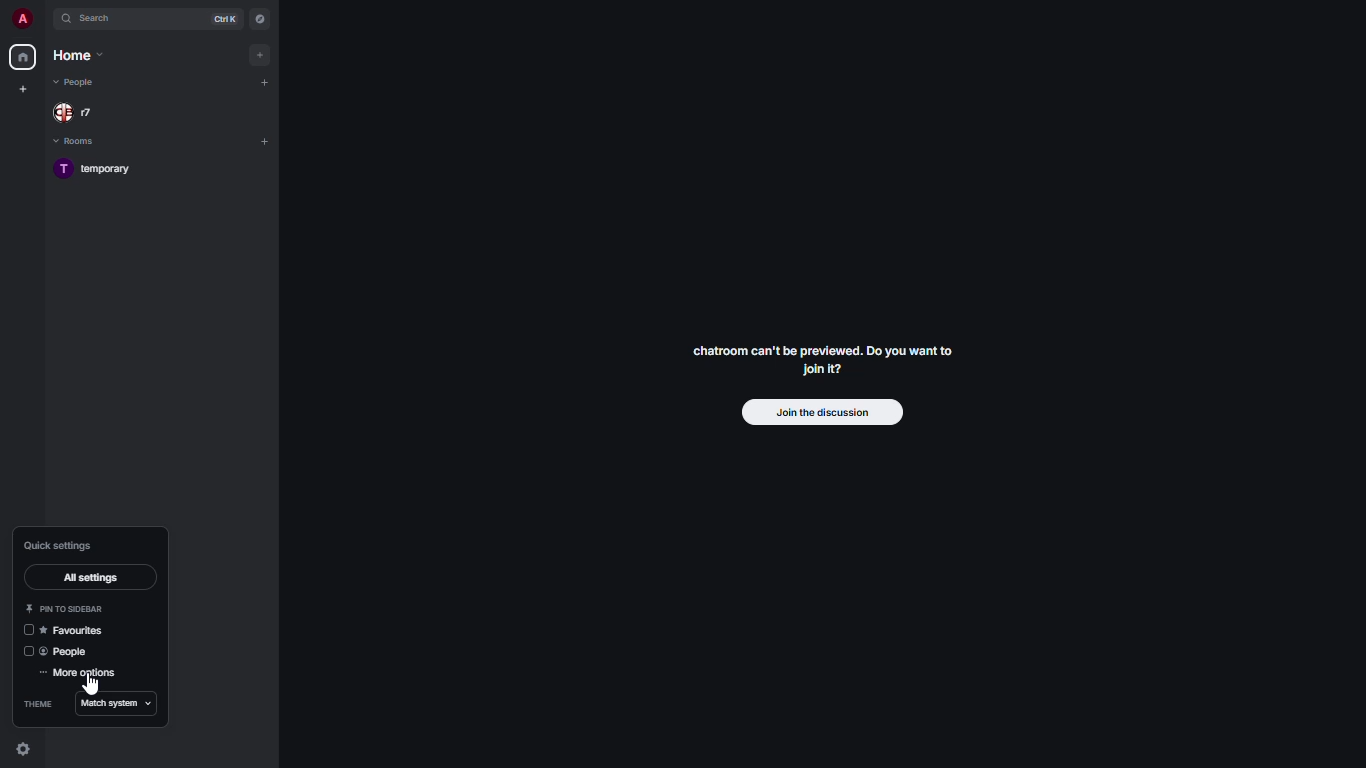 The height and width of the screenshot is (768, 1366). What do you see at coordinates (78, 82) in the screenshot?
I see `people` at bounding box center [78, 82].